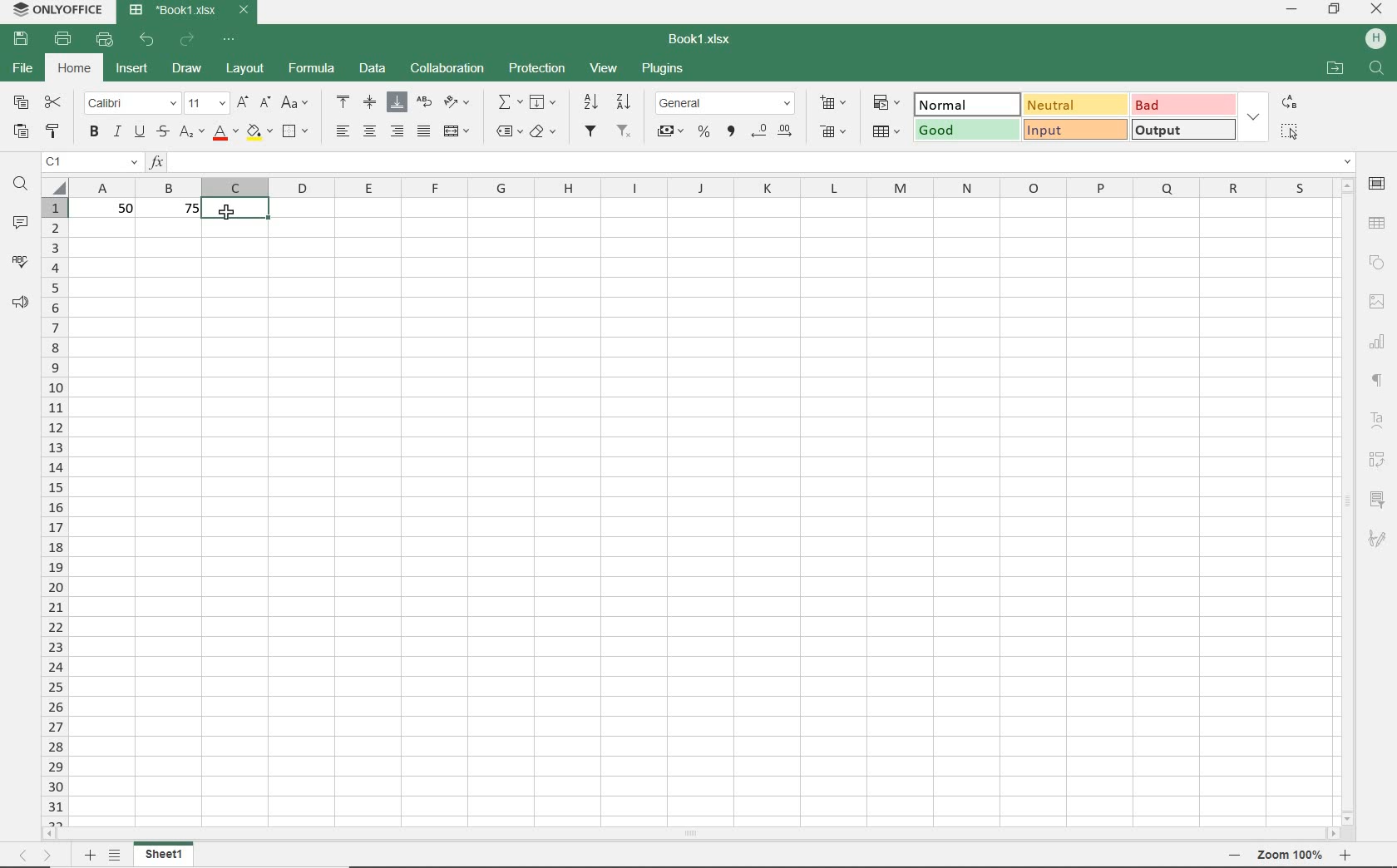 This screenshot has height=868, width=1397. Describe the element at coordinates (708, 187) in the screenshot. I see `column` at that location.